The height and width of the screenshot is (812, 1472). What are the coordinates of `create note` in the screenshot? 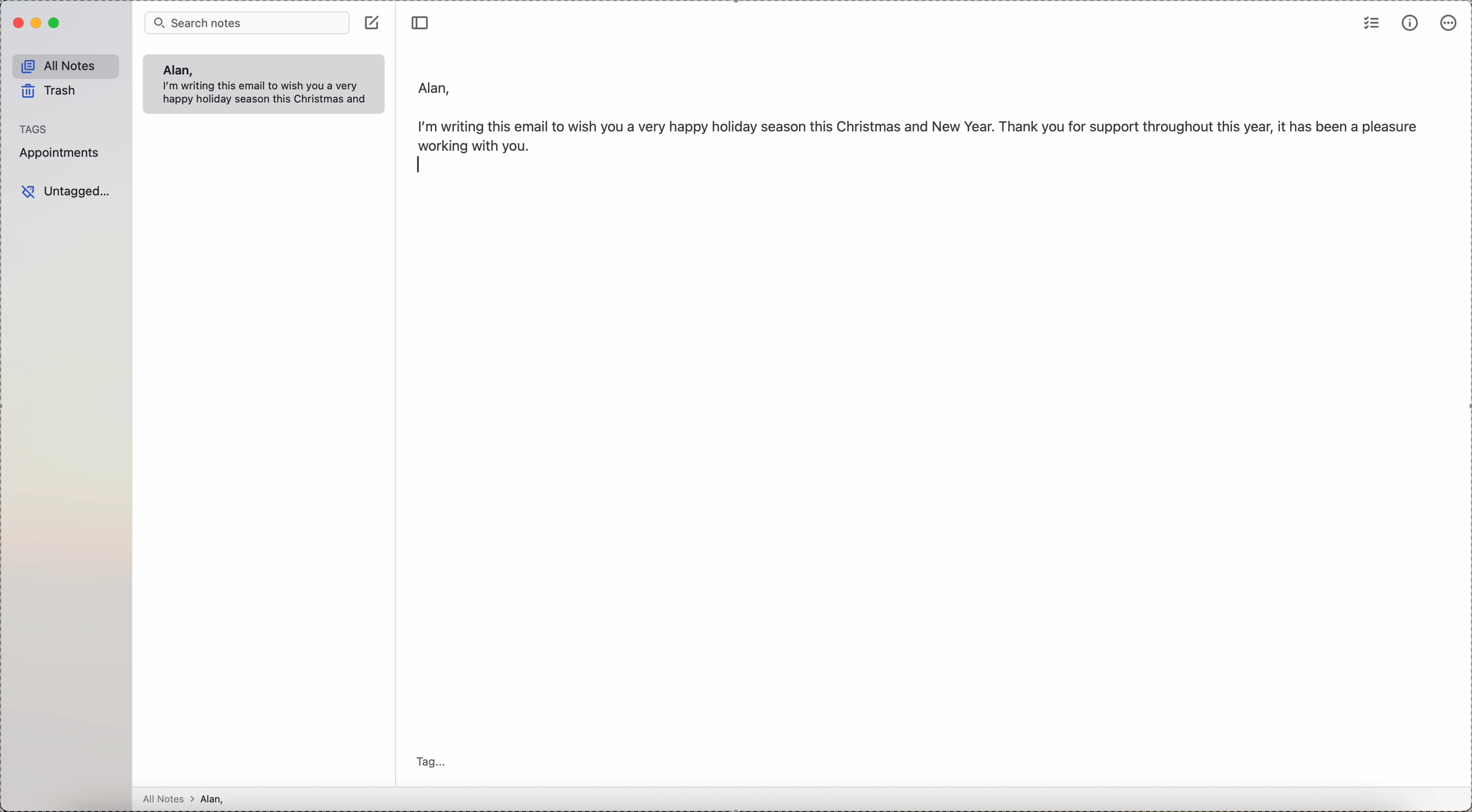 It's located at (374, 22).